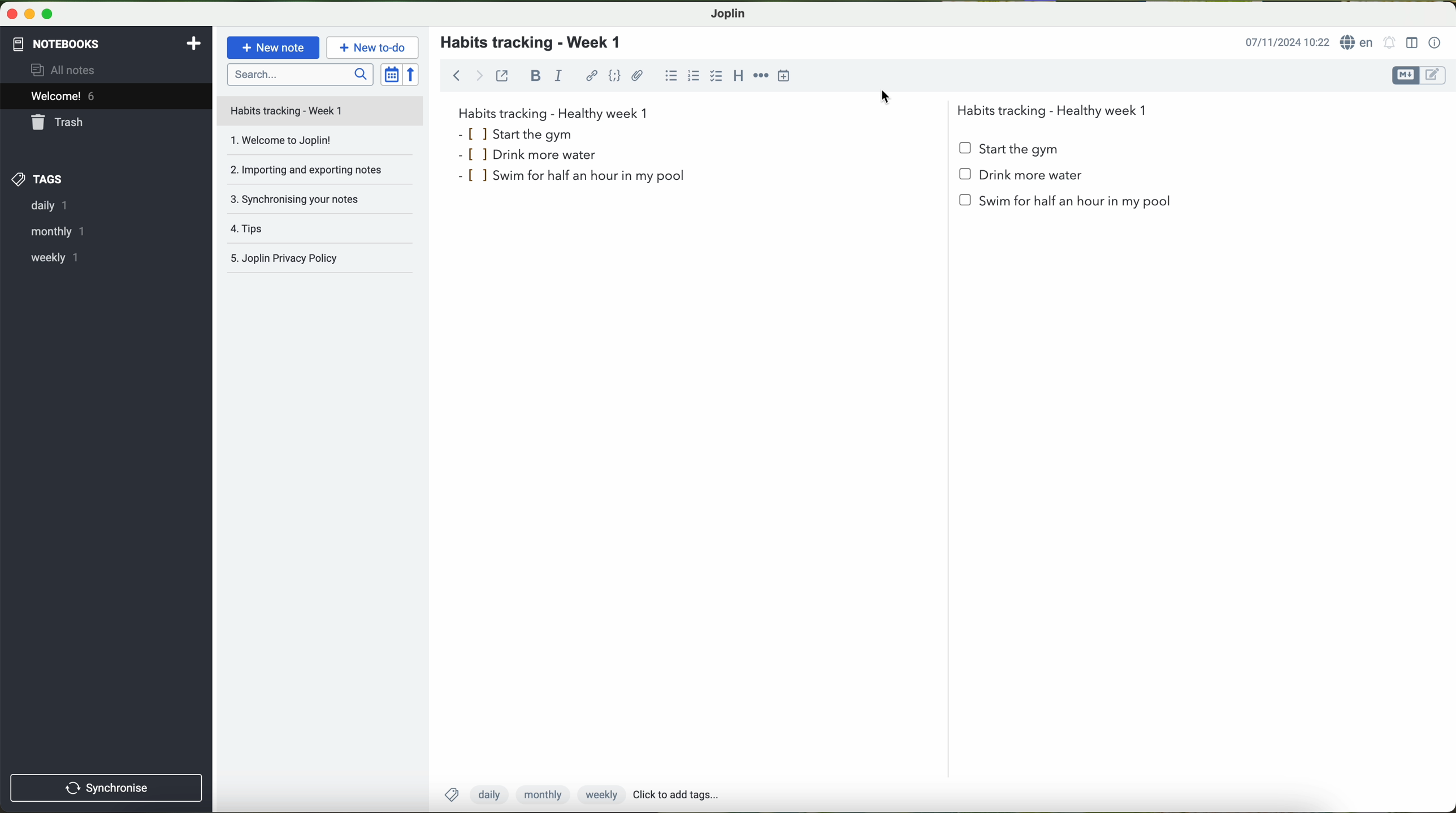 Image resolution: width=1456 pixels, height=813 pixels. Describe the element at coordinates (51, 231) in the screenshot. I see `monthly 1` at that location.